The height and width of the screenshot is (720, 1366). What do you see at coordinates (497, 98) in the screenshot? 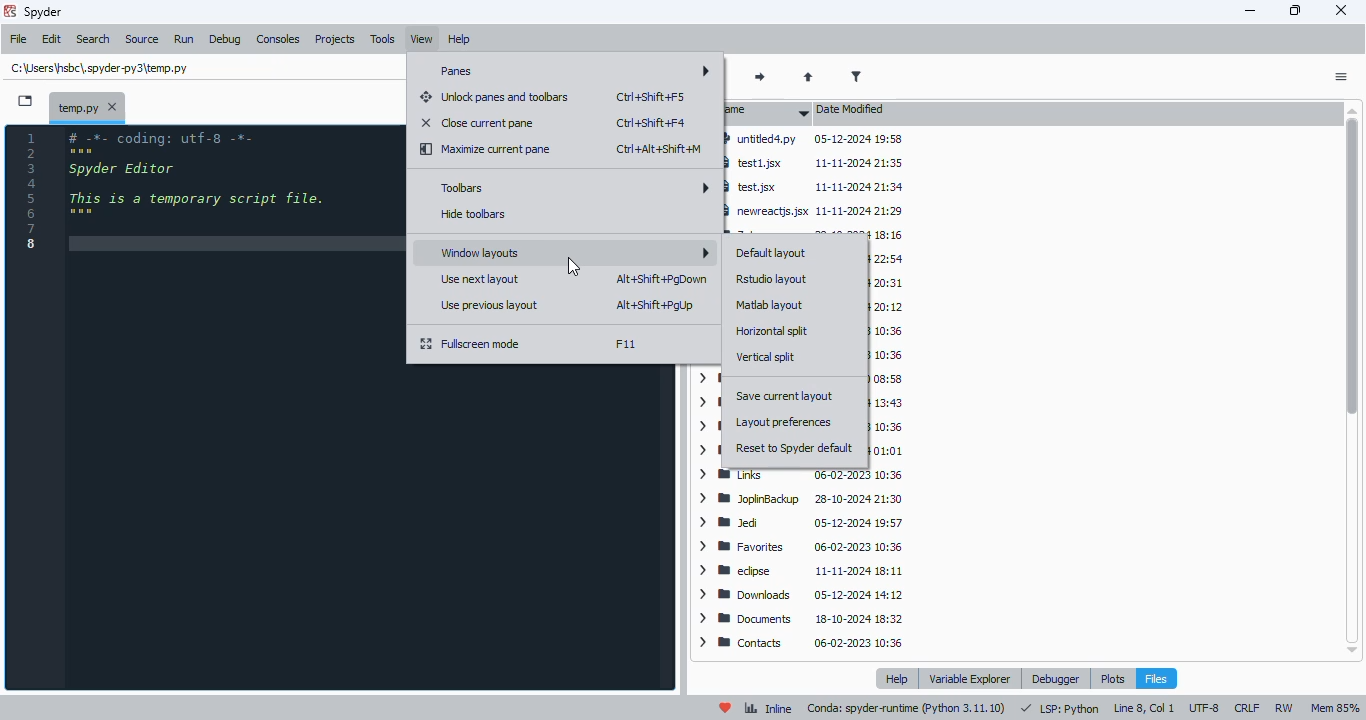
I see `unlock panes and toolbars` at bounding box center [497, 98].